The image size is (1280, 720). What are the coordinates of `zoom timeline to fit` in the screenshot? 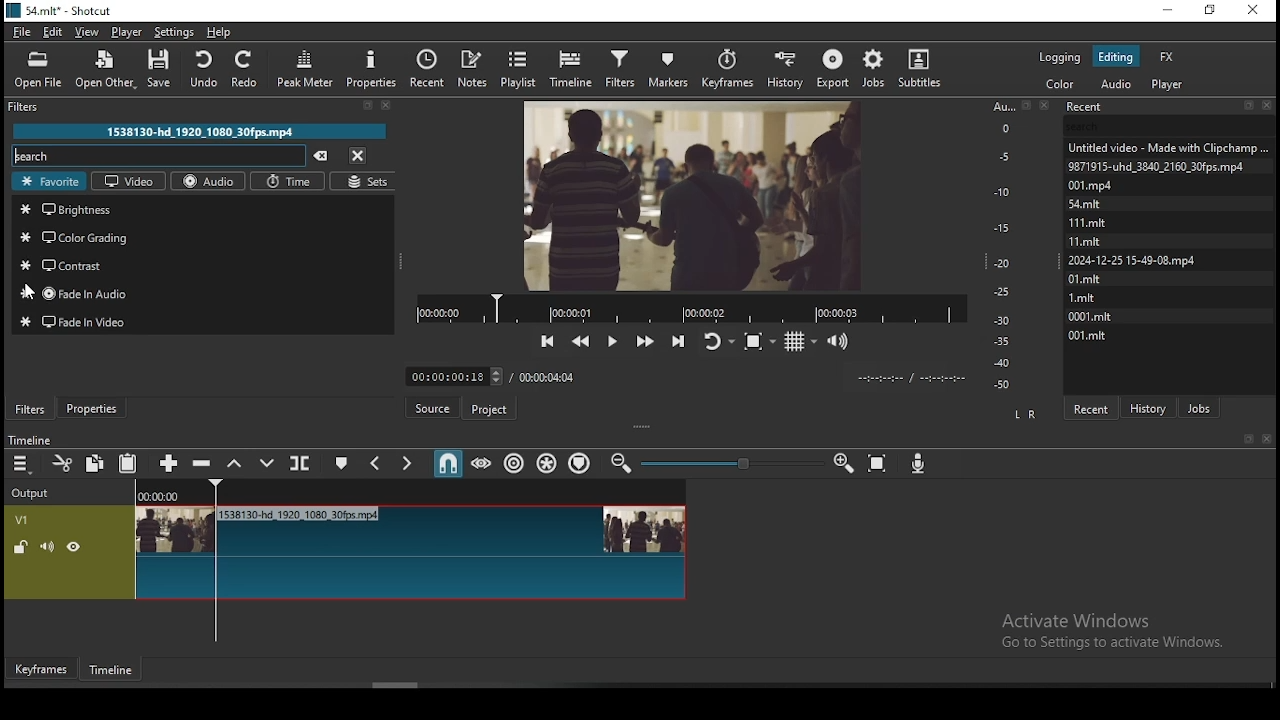 It's located at (871, 463).